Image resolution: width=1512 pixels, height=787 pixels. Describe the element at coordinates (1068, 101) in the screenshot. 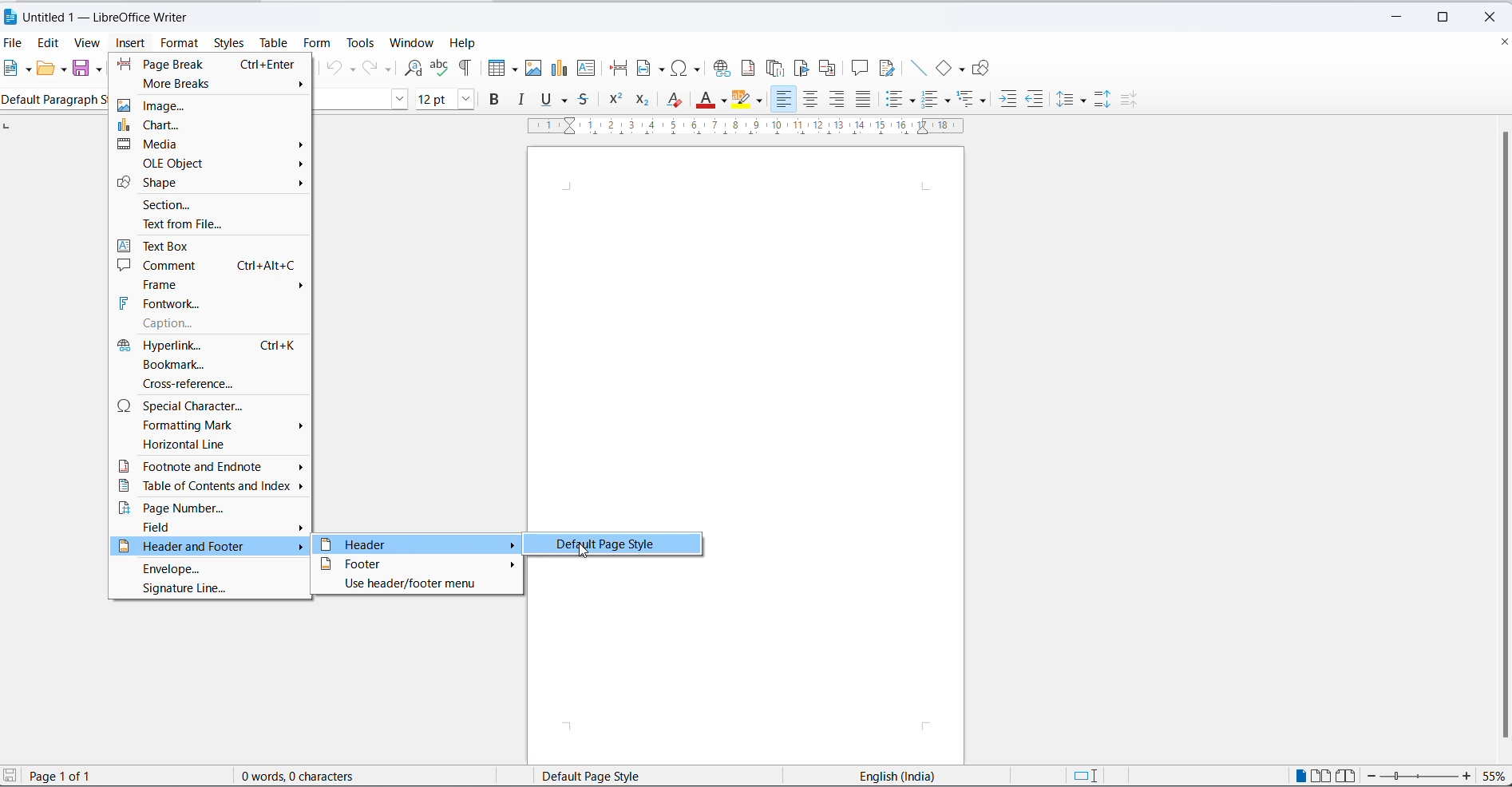

I see `line spacing` at that location.